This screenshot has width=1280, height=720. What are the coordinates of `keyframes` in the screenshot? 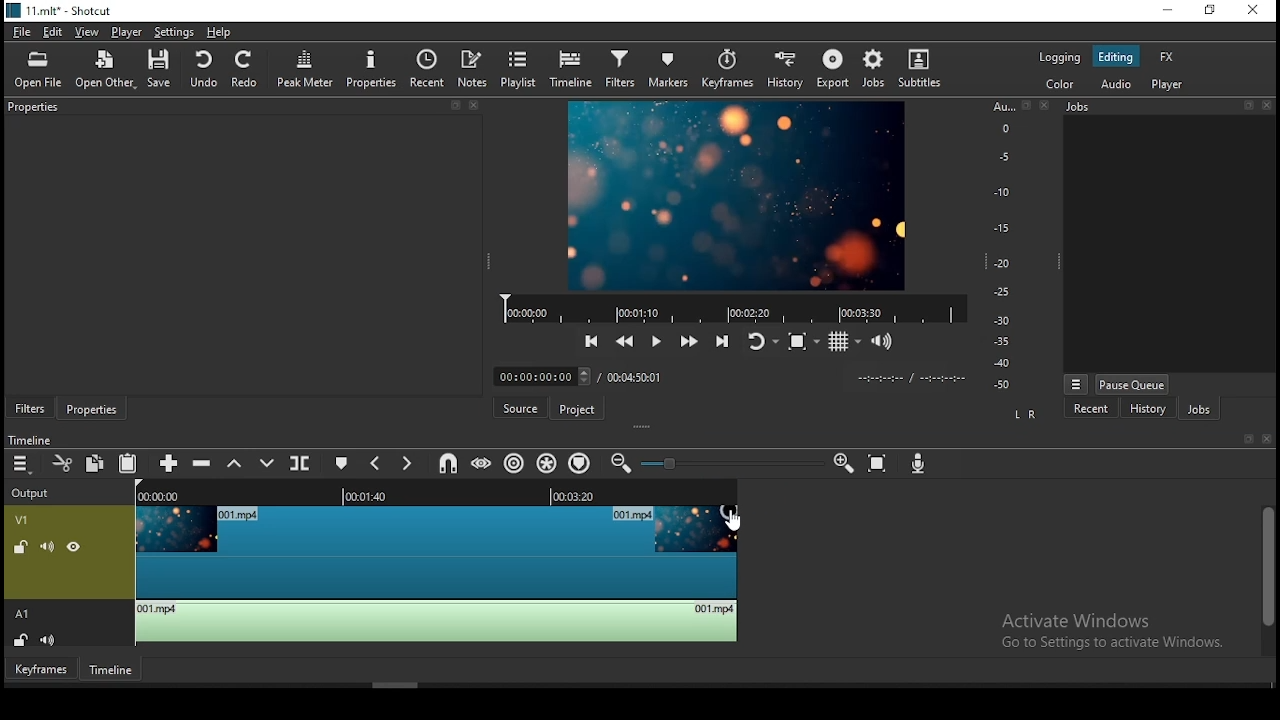 It's located at (727, 65).